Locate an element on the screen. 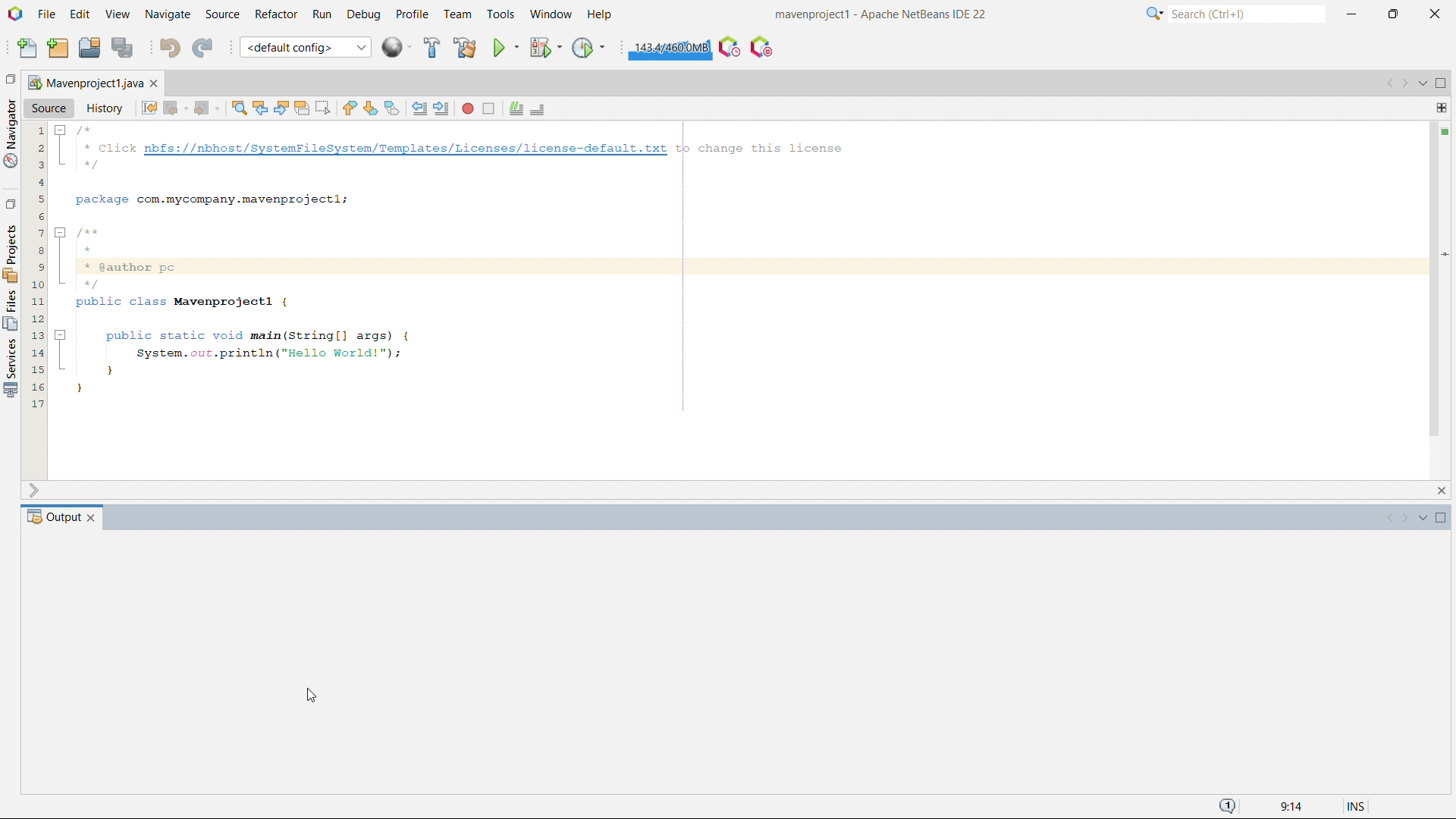 The width and height of the screenshot is (1456, 819). start macro recording  is located at coordinates (468, 111).